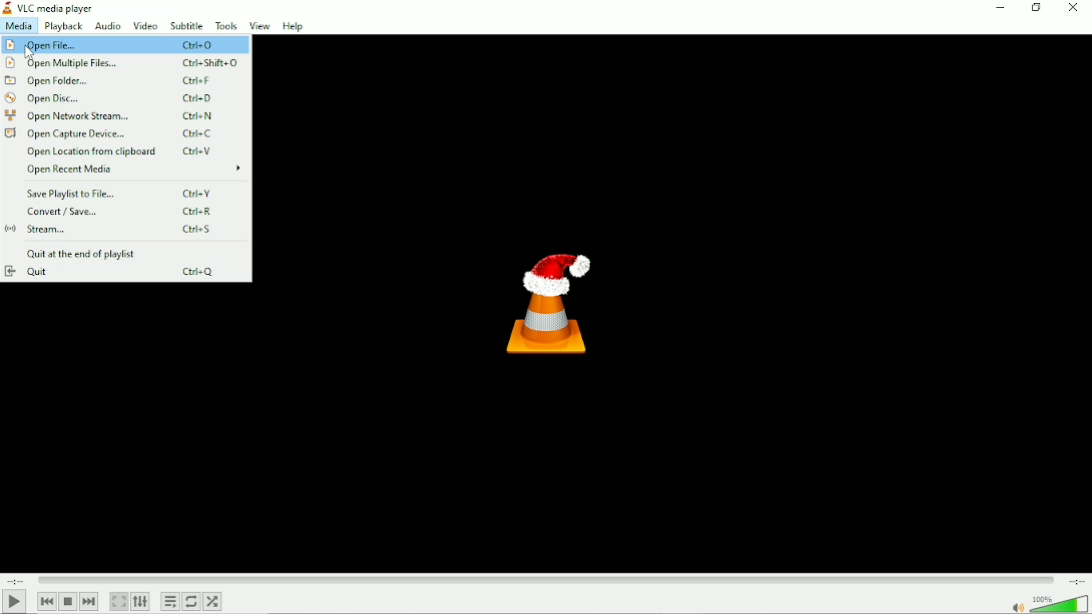  Describe the element at coordinates (188, 26) in the screenshot. I see `Subtitle` at that location.